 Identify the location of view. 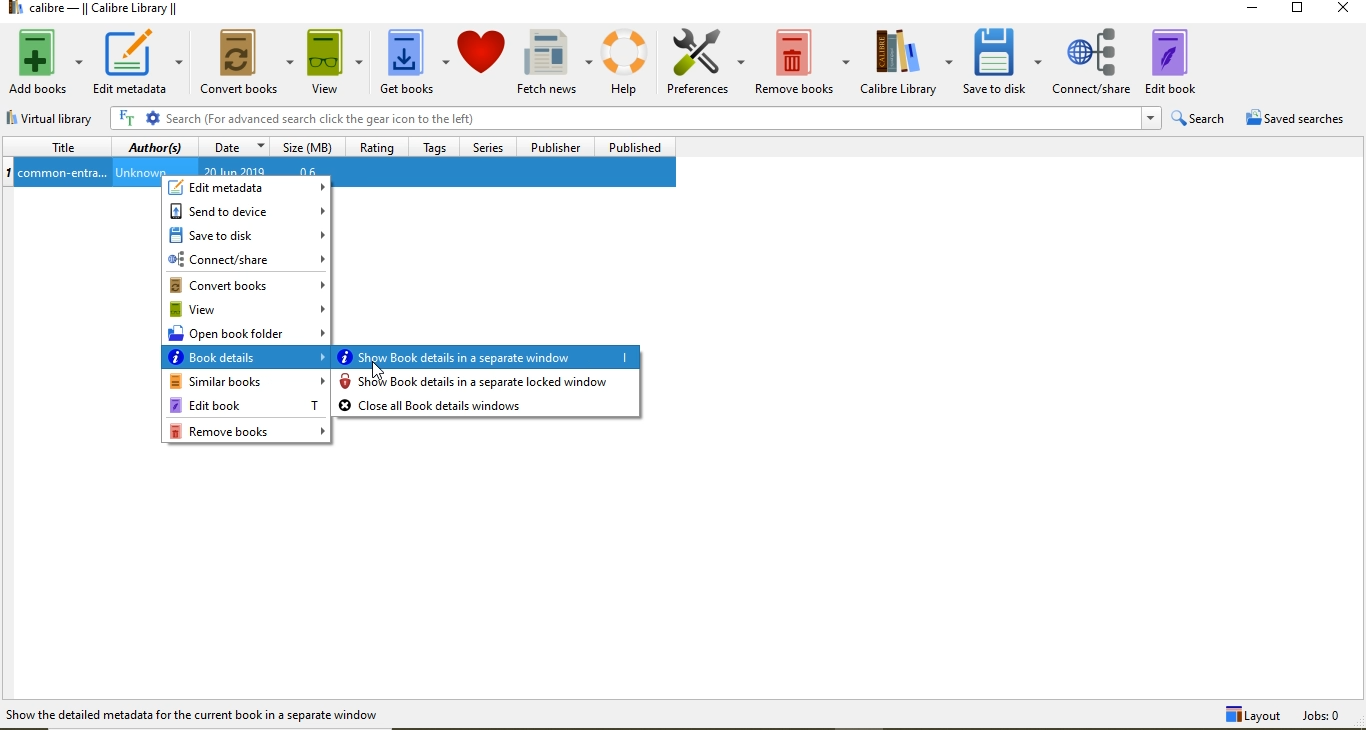
(248, 311).